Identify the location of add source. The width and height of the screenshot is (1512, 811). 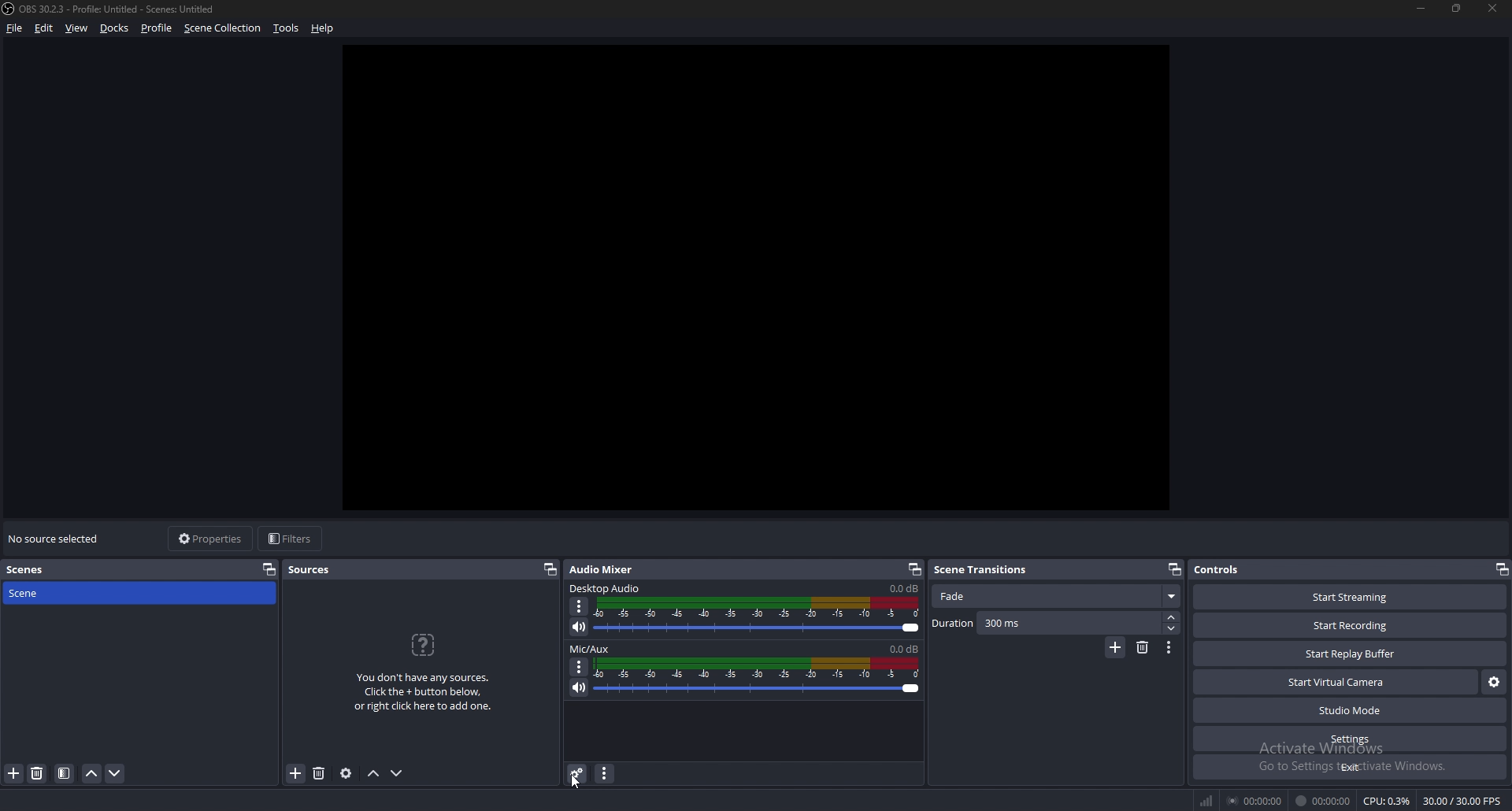
(296, 773).